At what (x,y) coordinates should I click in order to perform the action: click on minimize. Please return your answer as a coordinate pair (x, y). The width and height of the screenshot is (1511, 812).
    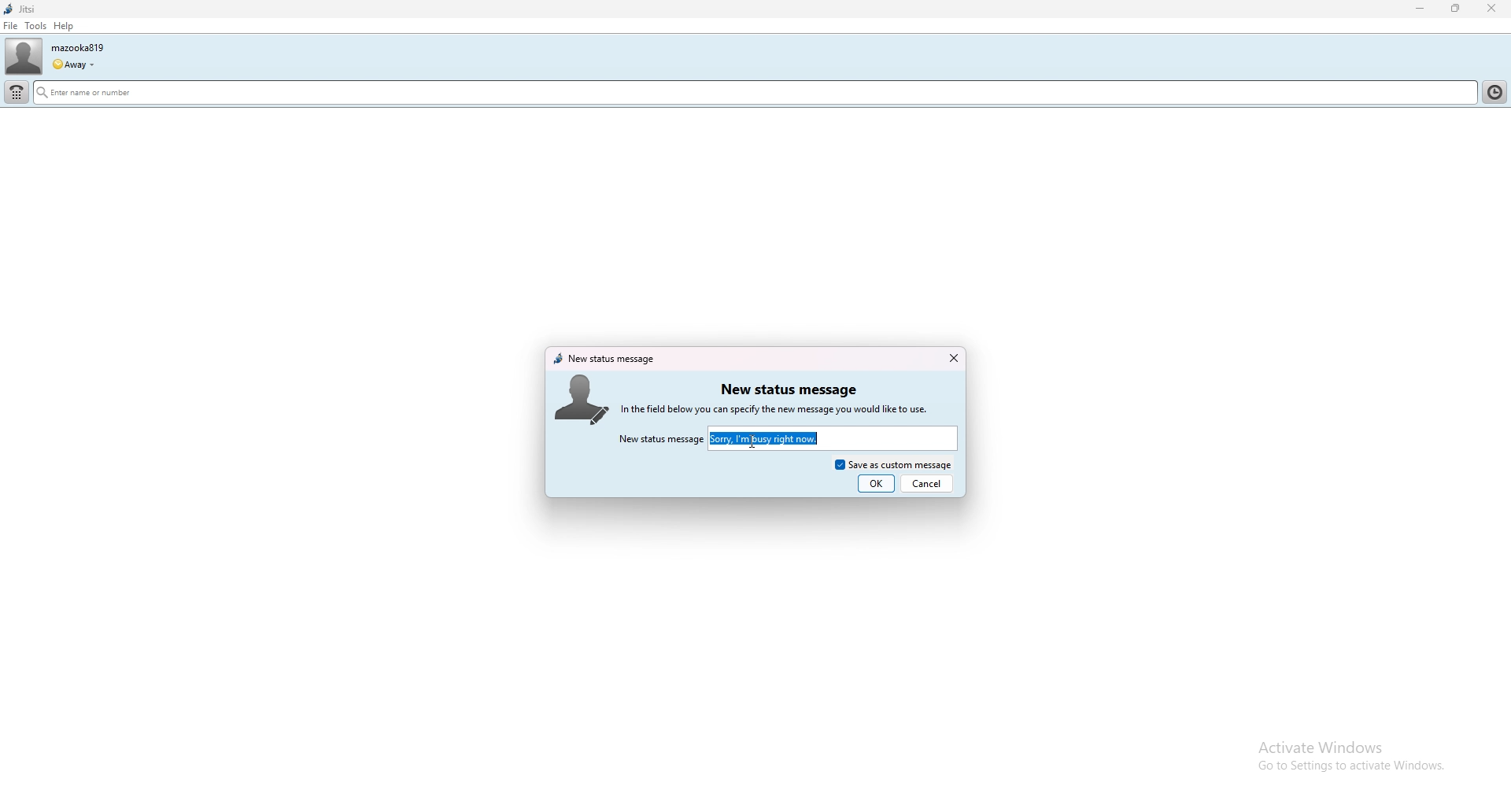
    Looking at the image, I should click on (1420, 9).